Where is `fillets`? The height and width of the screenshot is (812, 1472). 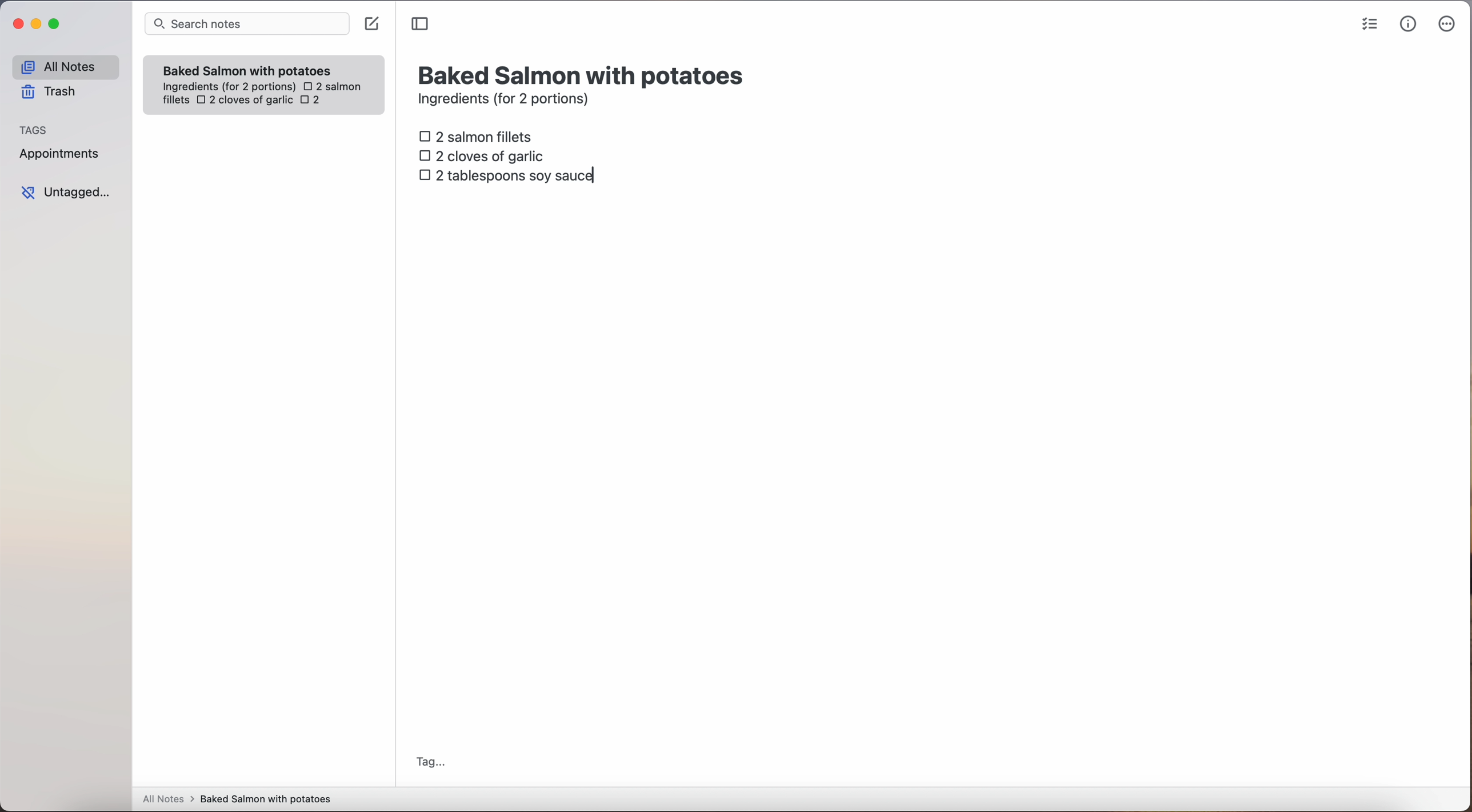
fillets is located at coordinates (177, 101).